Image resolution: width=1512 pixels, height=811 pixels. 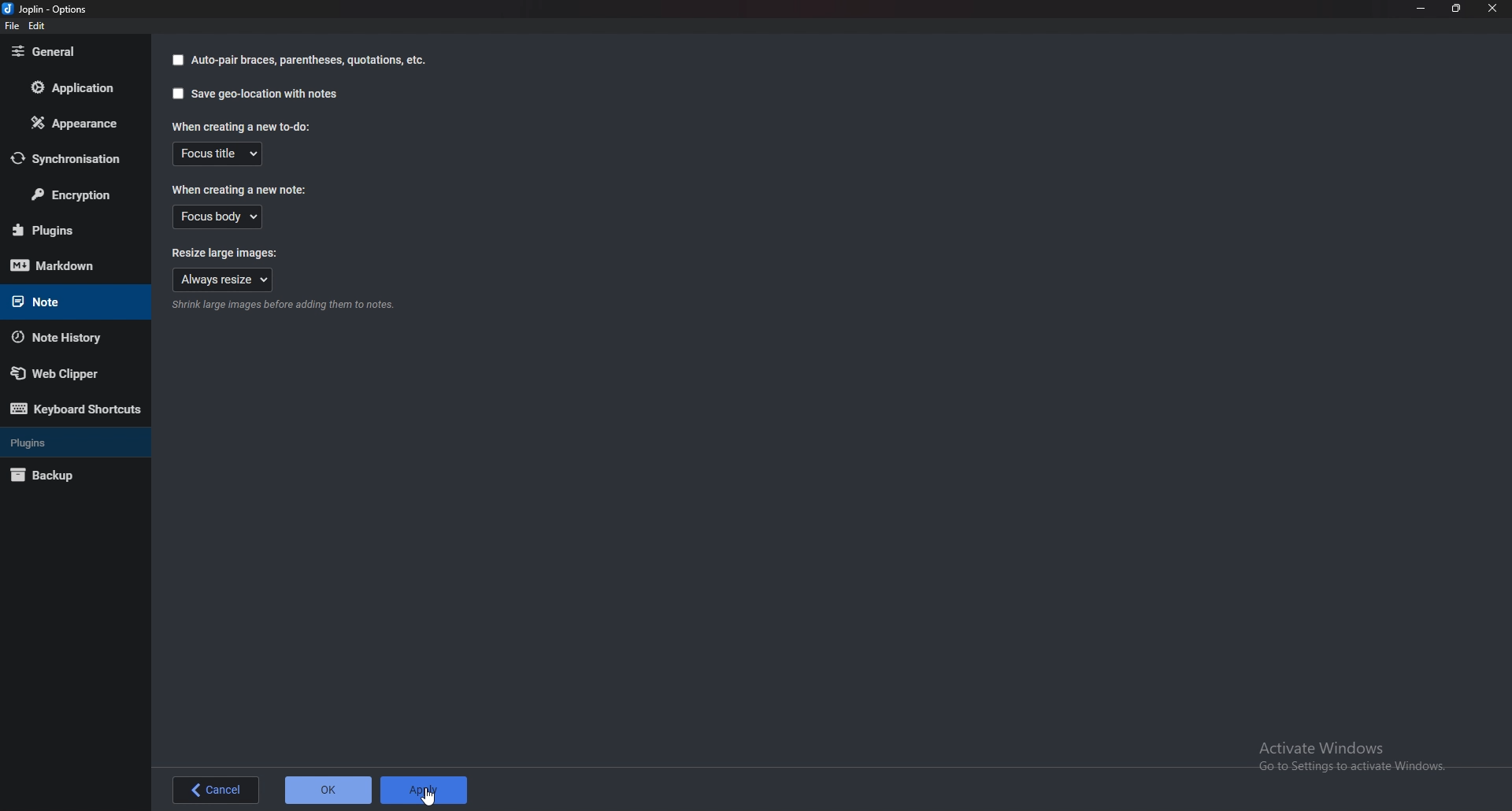 I want to click on back, so click(x=218, y=791).